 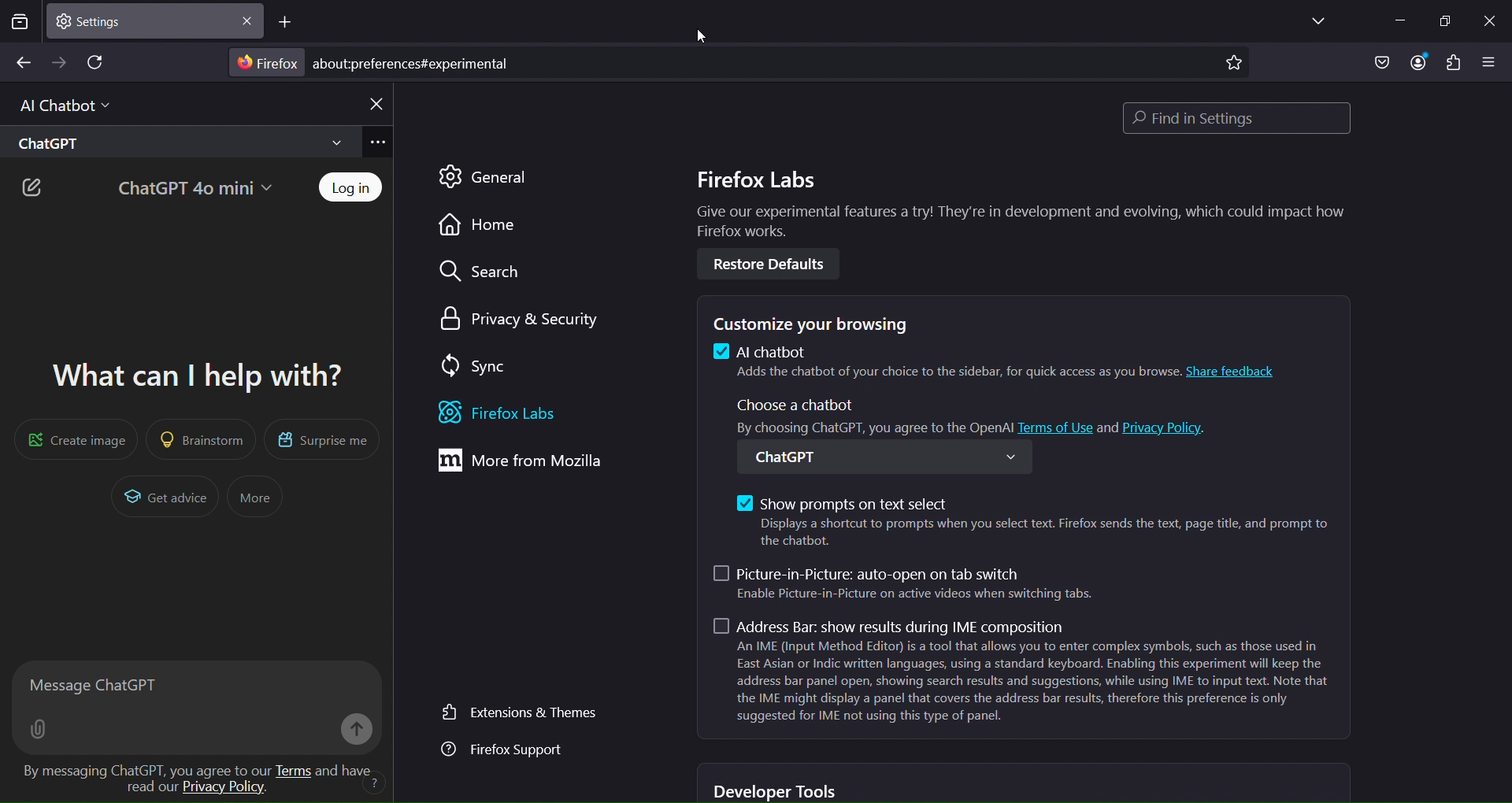 What do you see at coordinates (1393, 19) in the screenshot?
I see `minimize` at bounding box center [1393, 19].